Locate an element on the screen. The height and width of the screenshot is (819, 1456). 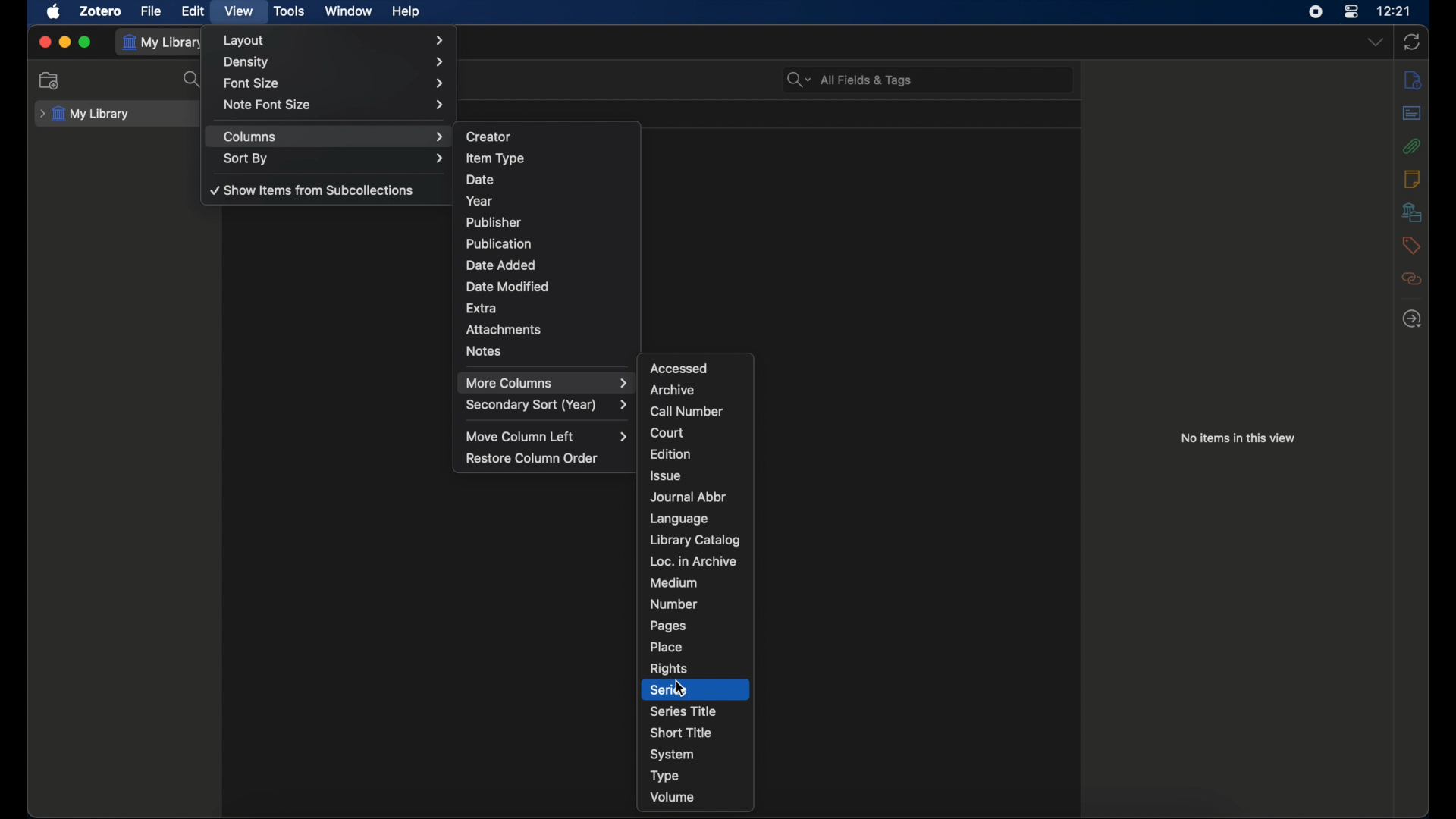
place is located at coordinates (666, 647).